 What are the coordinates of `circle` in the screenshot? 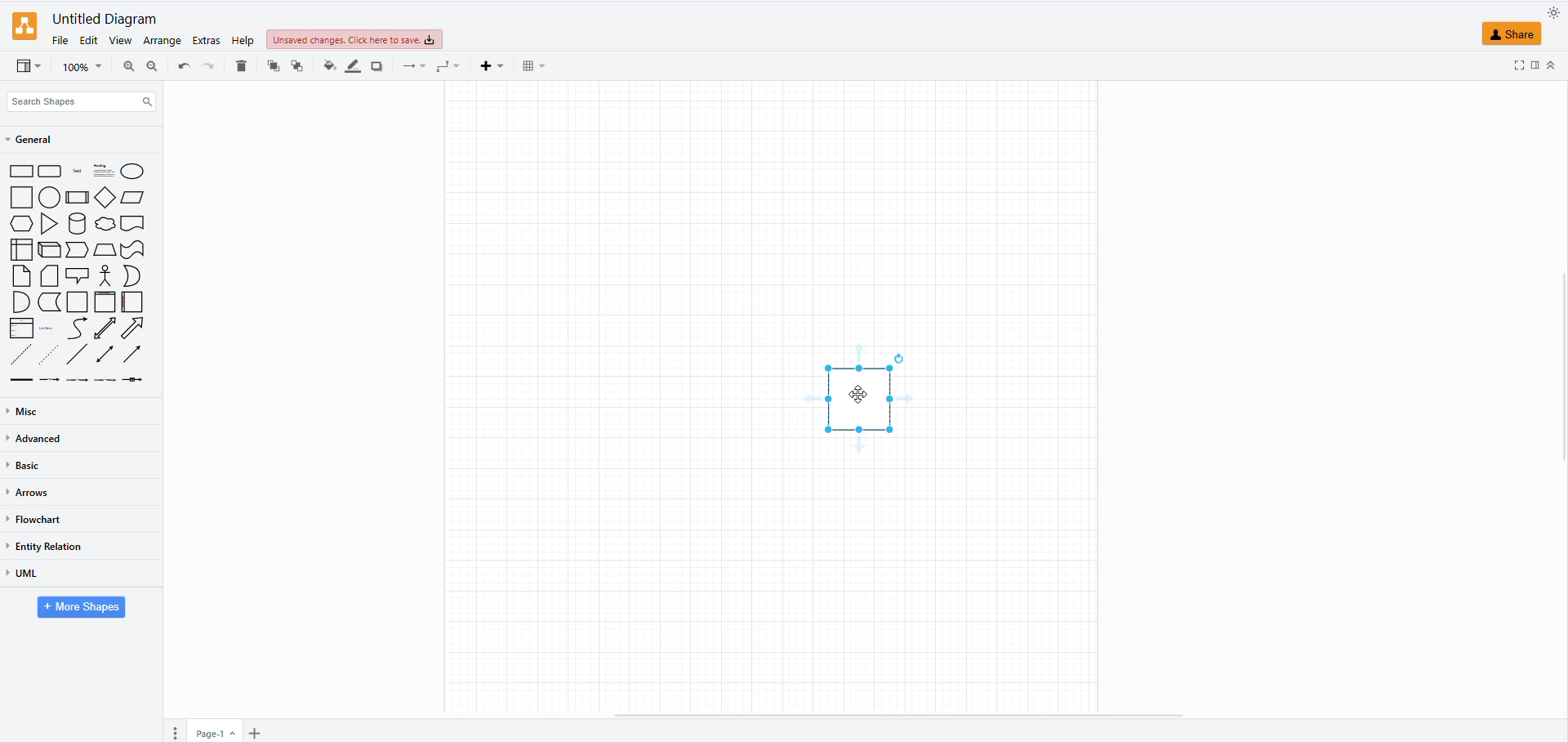 It's located at (49, 199).